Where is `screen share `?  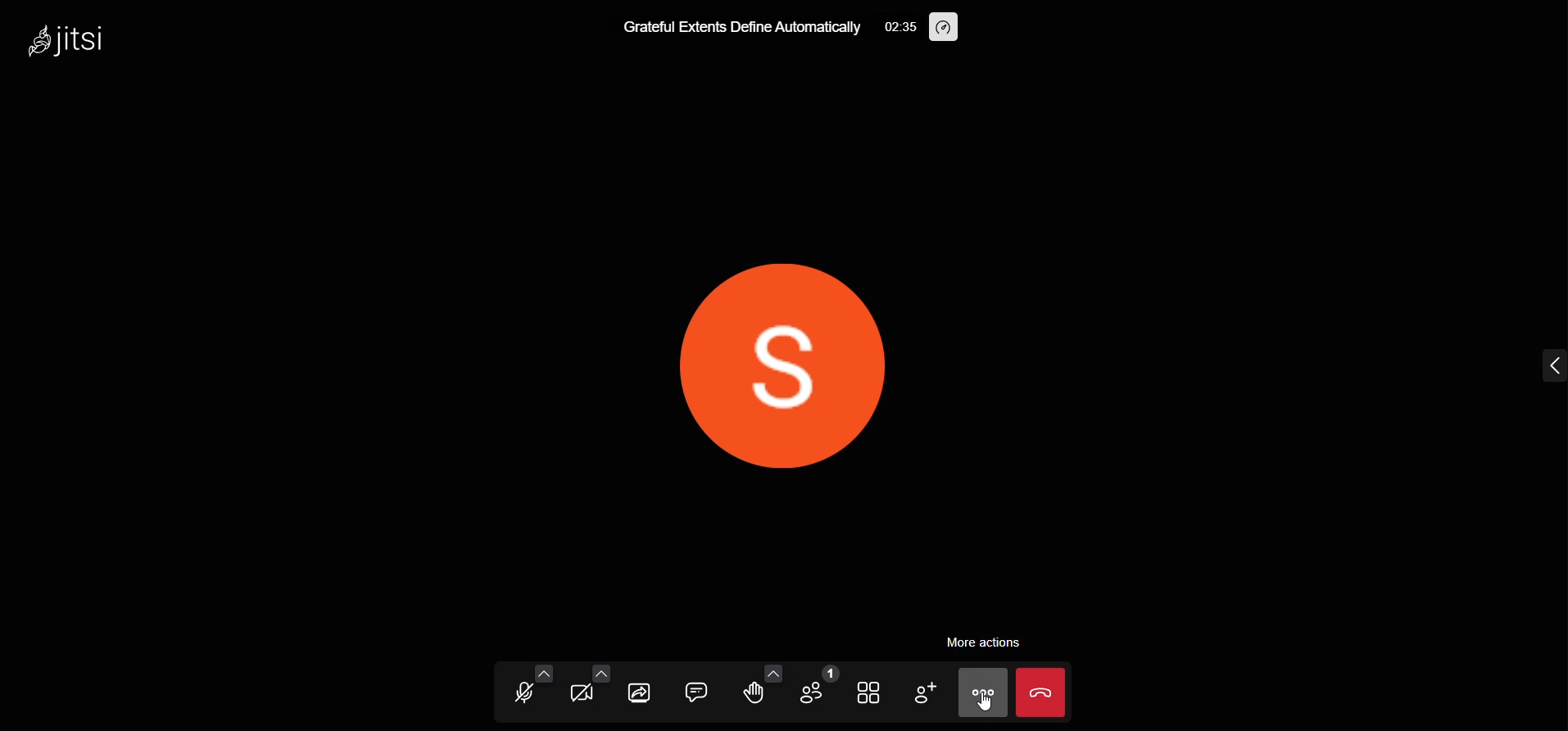
screen share  is located at coordinates (641, 690).